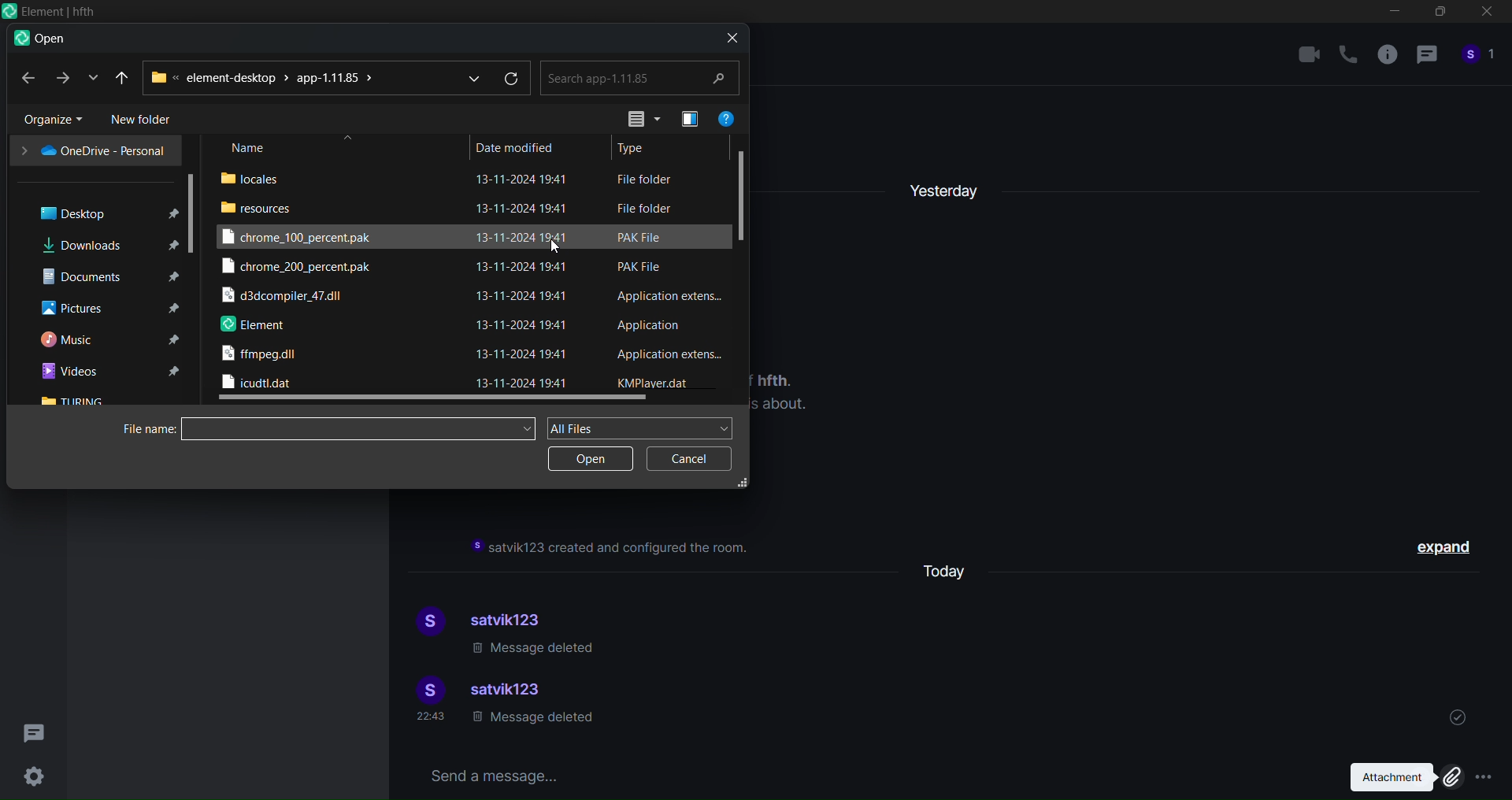 The image size is (1512, 800). What do you see at coordinates (743, 483) in the screenshot?
I see `resize dialog` at bounding box center [743, 483].